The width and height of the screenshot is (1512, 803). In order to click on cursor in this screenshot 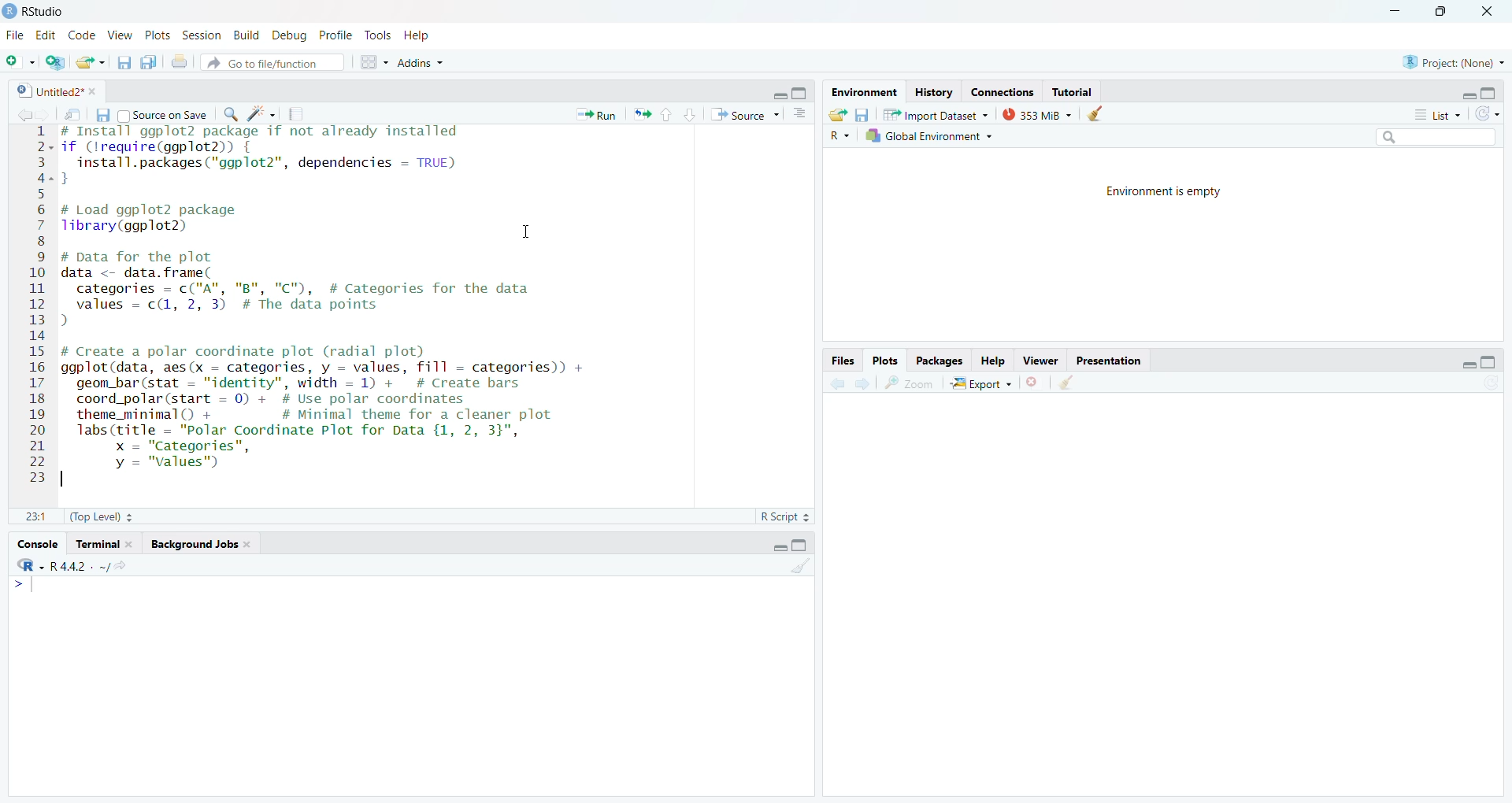, I will do `click(526, 231)`.